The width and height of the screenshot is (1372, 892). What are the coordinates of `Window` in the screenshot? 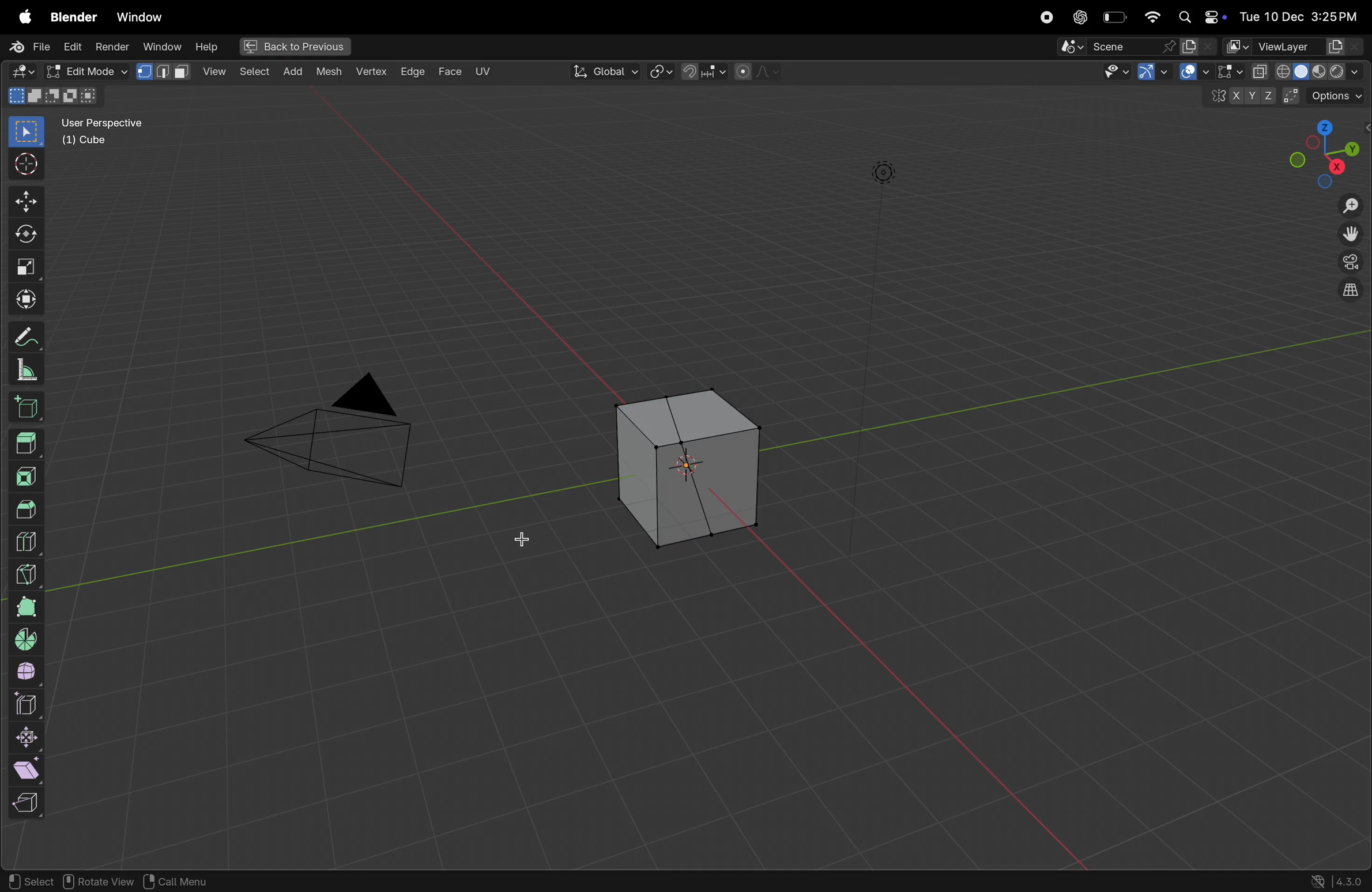 It's located at (139, 17).